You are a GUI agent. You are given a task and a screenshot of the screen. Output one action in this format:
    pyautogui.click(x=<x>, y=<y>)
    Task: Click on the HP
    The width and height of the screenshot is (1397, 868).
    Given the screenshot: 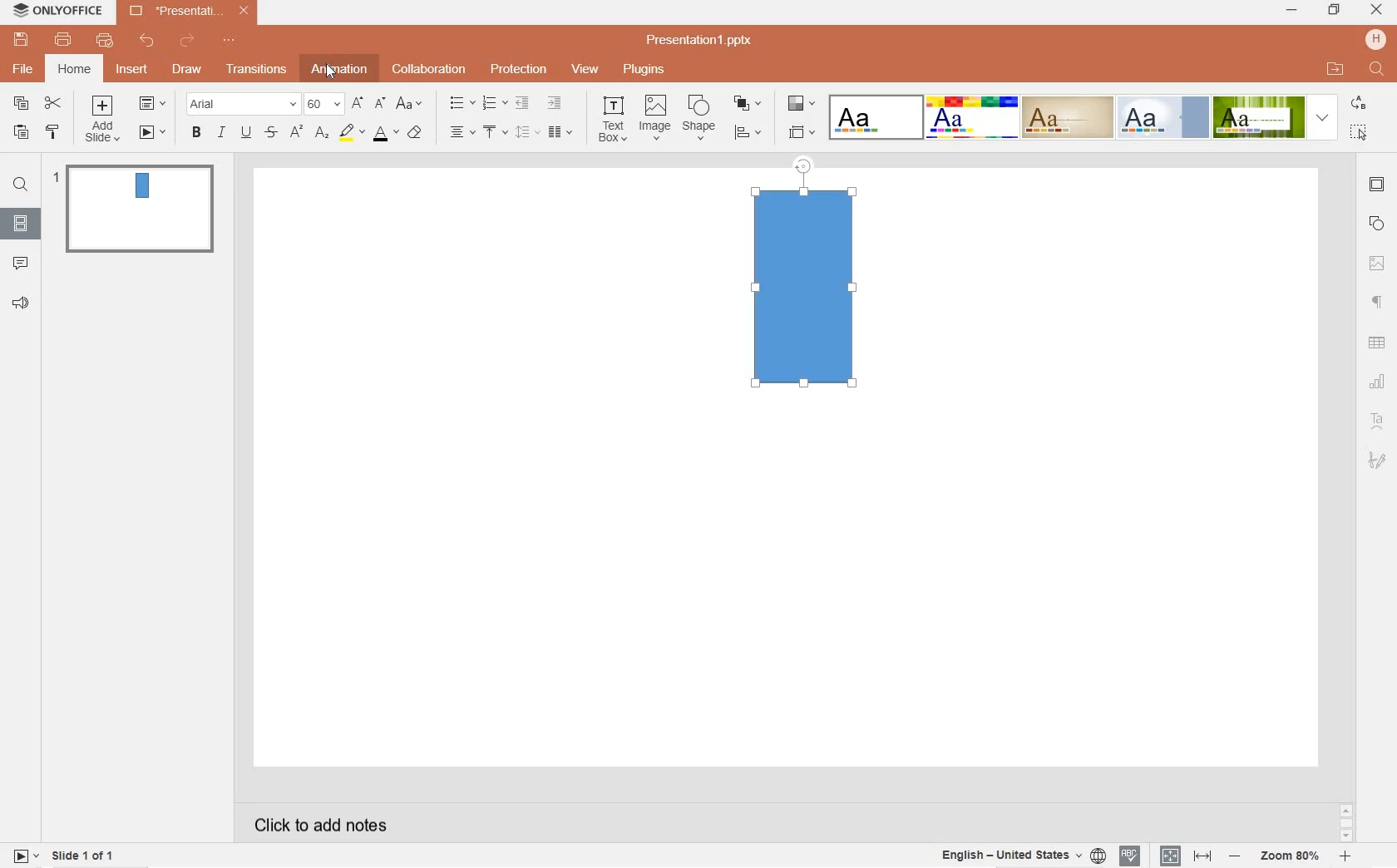 What is the action you would take?
    pyautogui.click(x=1375, y=39)
    